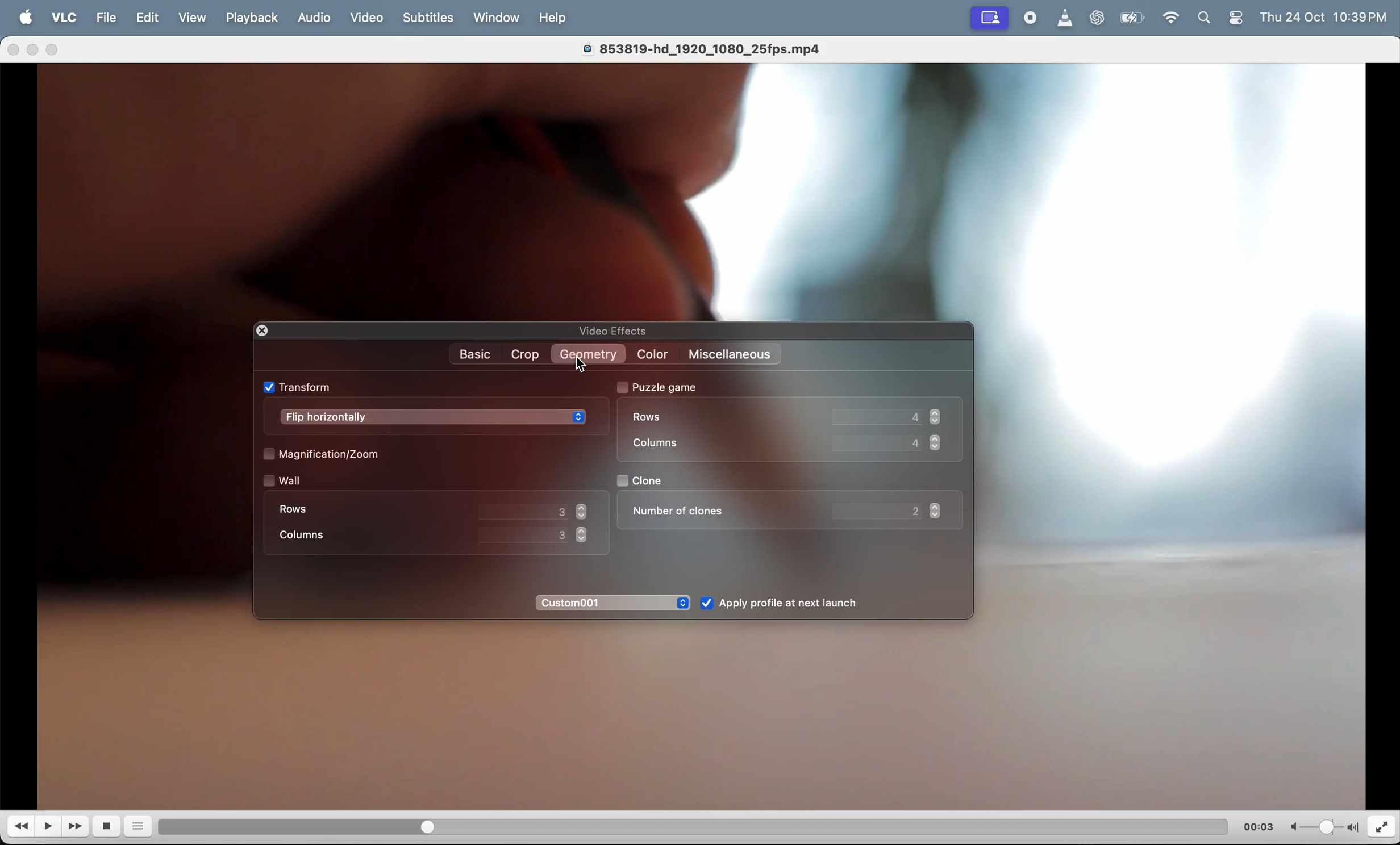 The image size is (1400, 845). I want to click on crop, so click(524, 355).